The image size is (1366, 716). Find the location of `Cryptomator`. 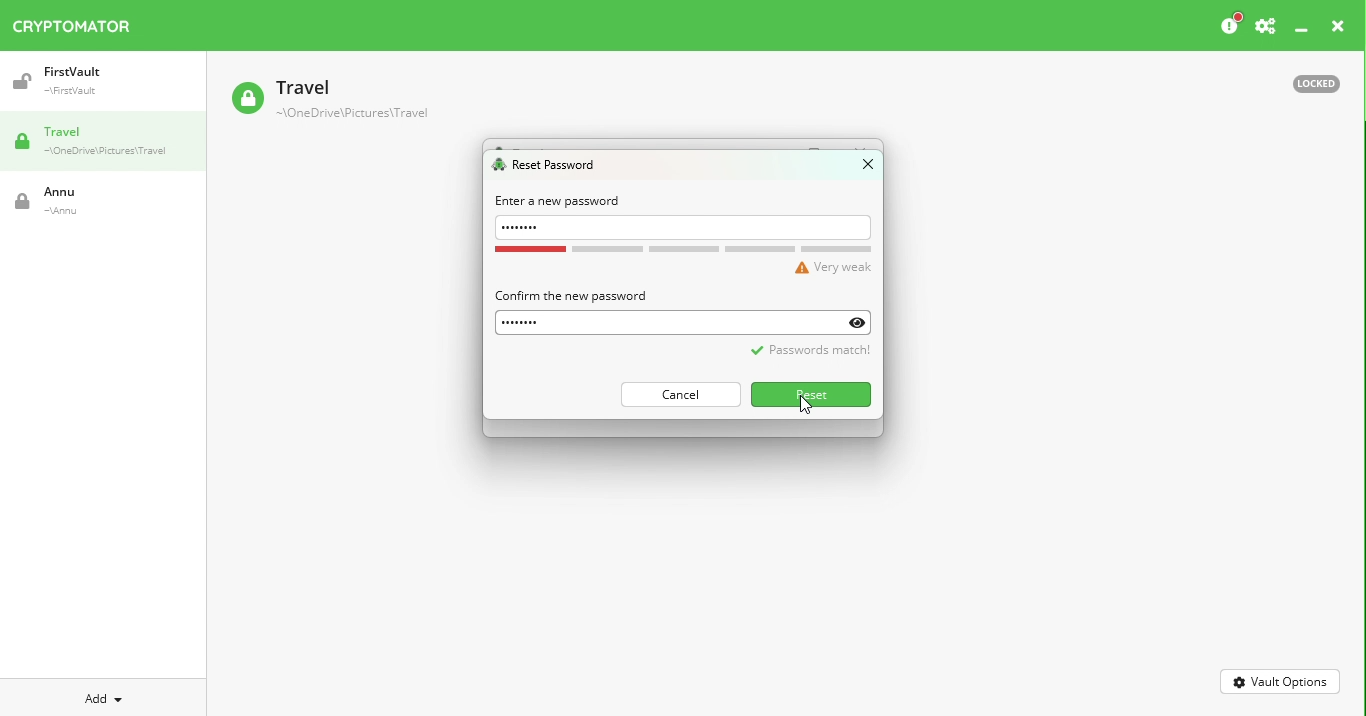

Cryptomator is located at coordinates (72, 22).